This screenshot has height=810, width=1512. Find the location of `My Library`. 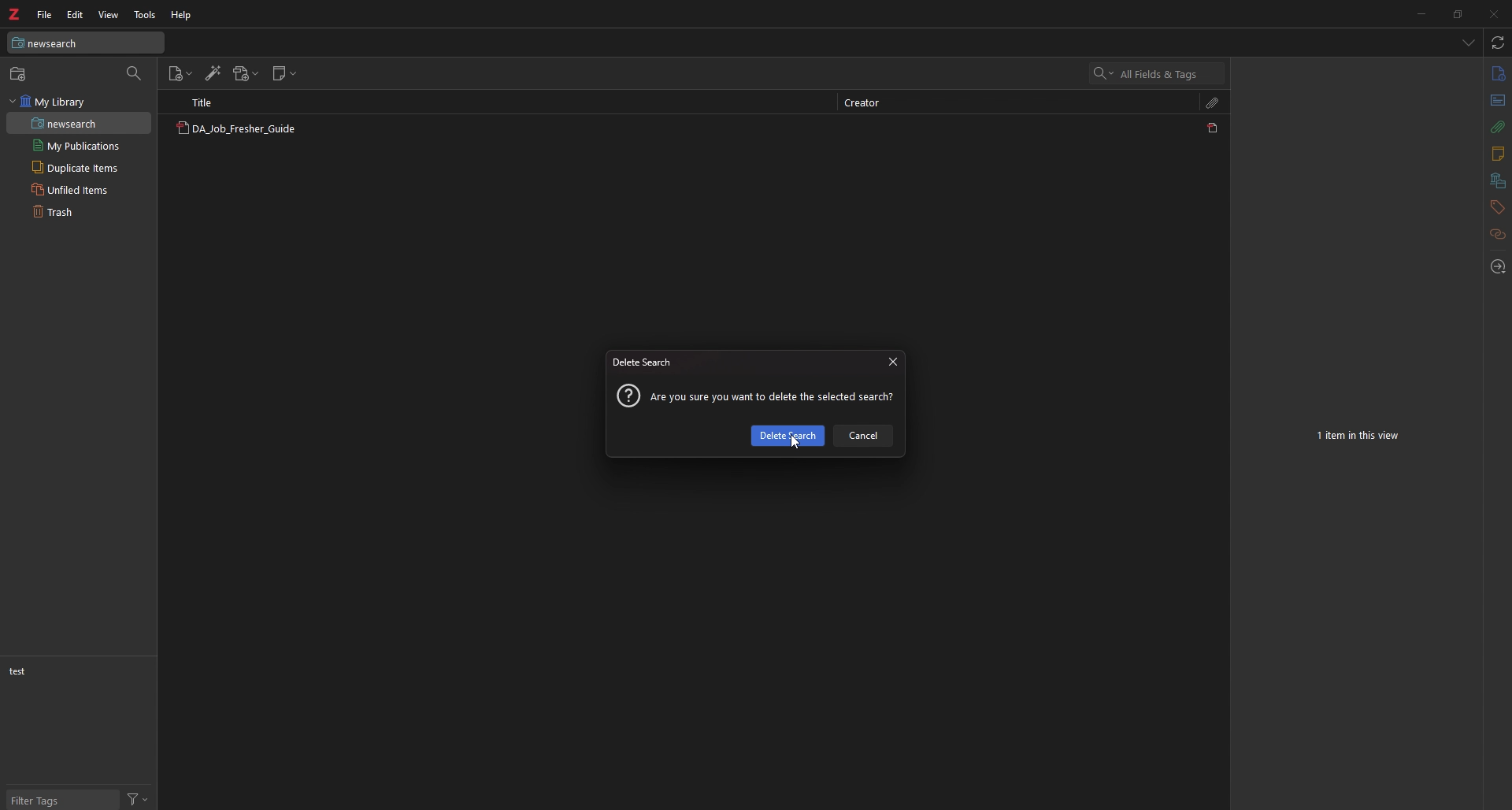

My Library is located at coordinates (87, 42).